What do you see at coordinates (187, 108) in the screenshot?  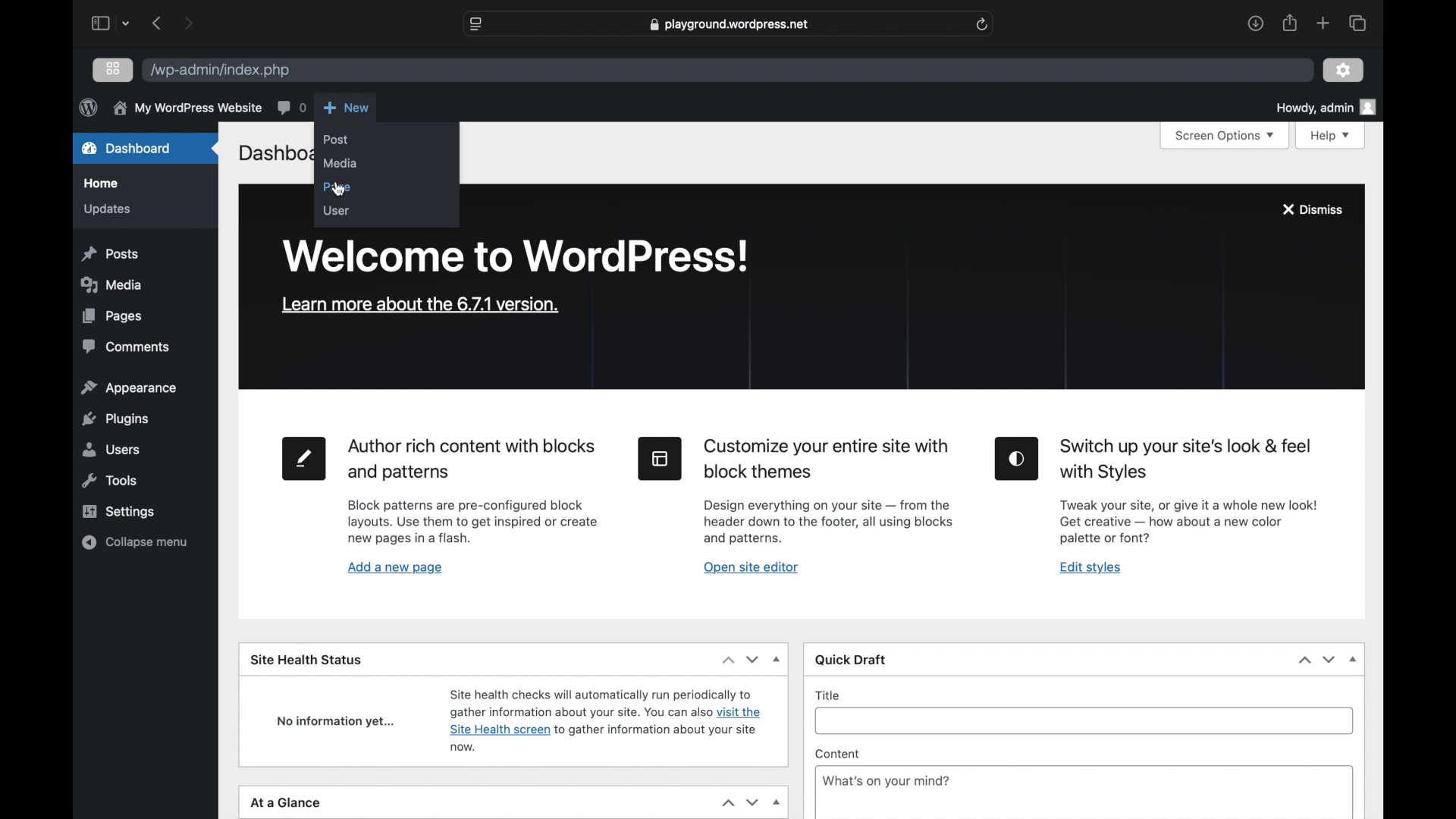 I see `my wordpress website` at bounding box center [187, 108].